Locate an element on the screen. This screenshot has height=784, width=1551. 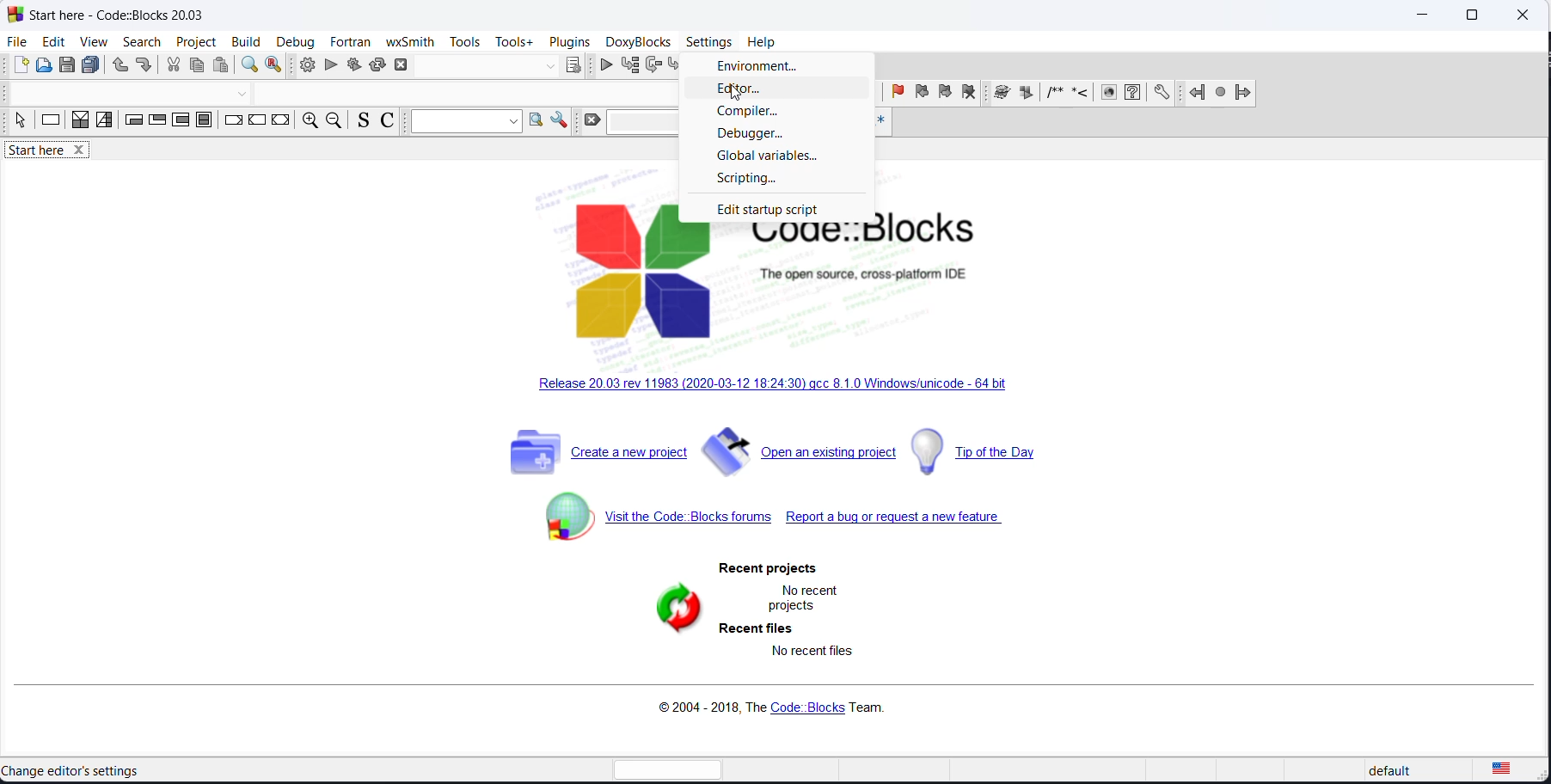
jump back is located at coordinates (1196, 93).